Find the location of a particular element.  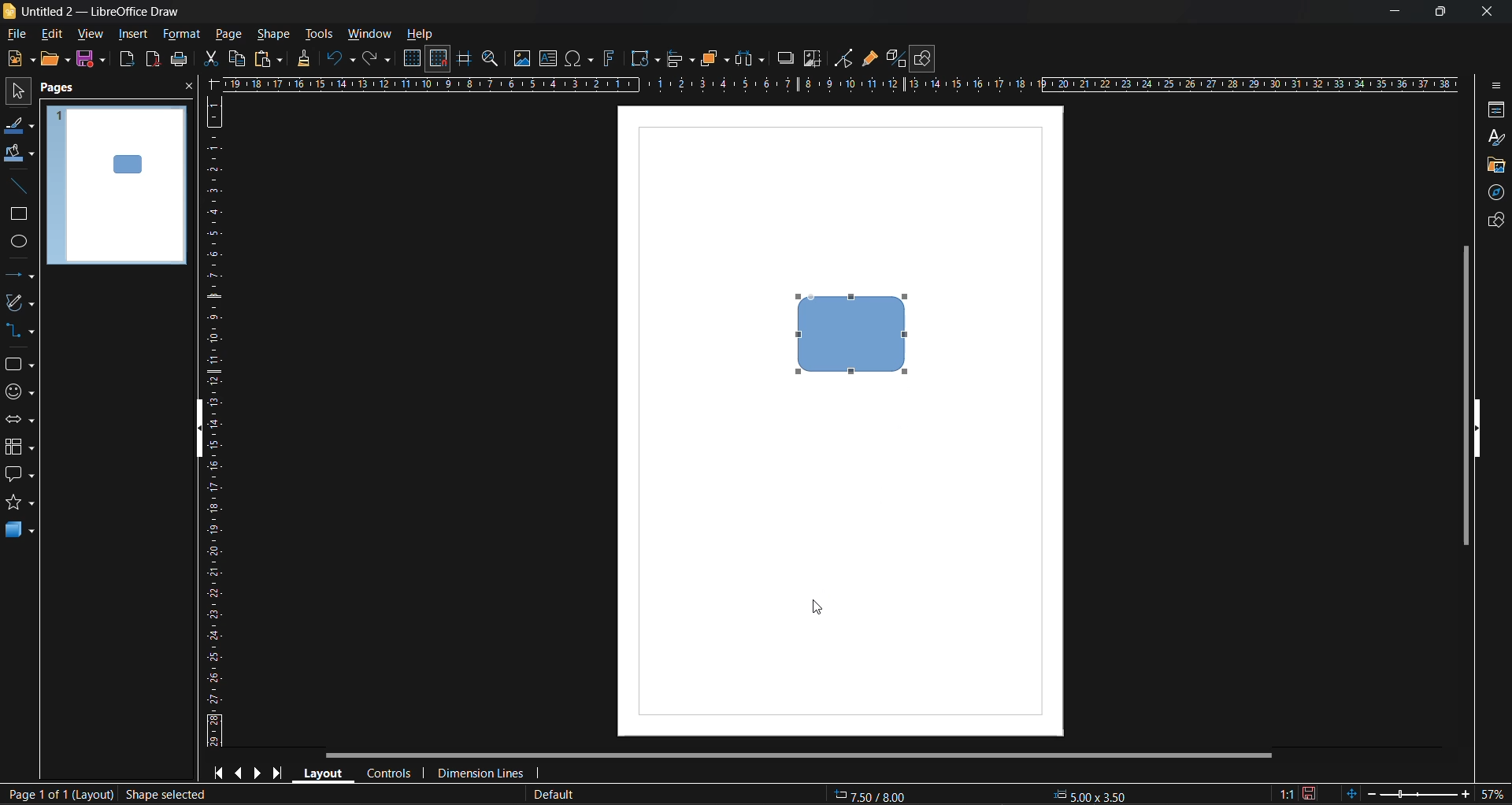

gallery is located at coordinates (1495, 168).